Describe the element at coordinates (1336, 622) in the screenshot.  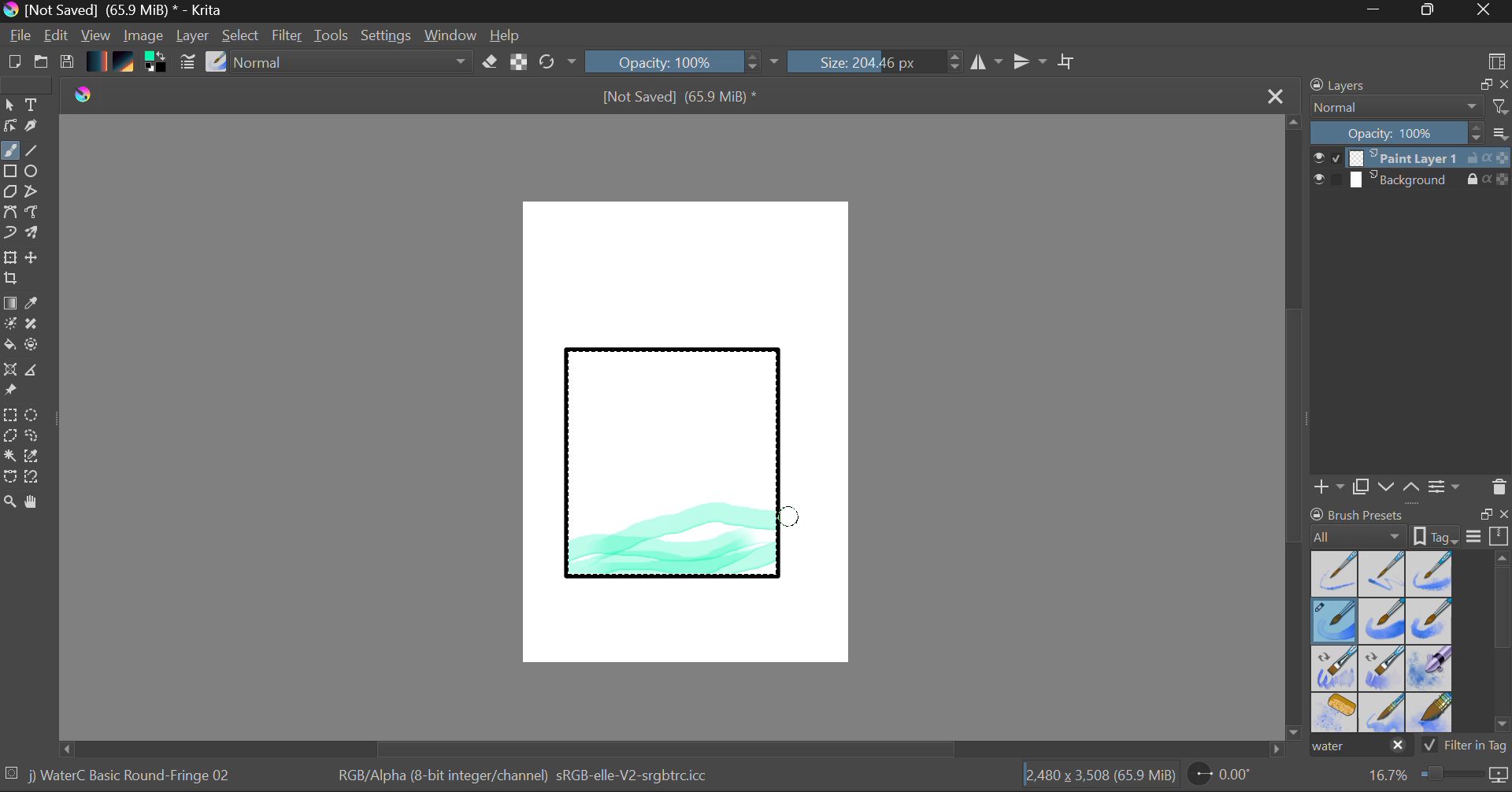
I see `Brush Selected` at that location.